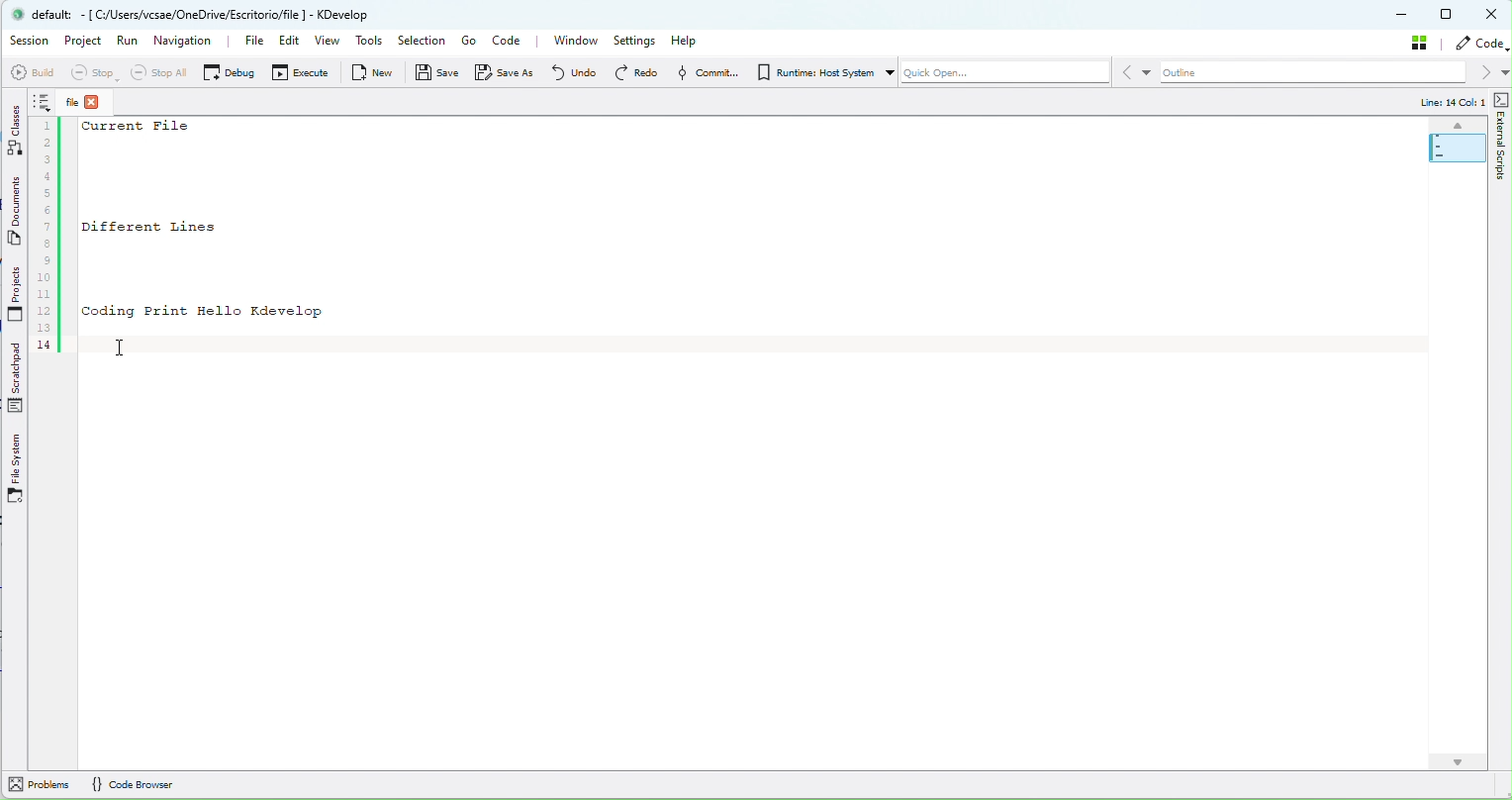  I want to click on Coding Print Hello Kdevelop, so click(203, 311).